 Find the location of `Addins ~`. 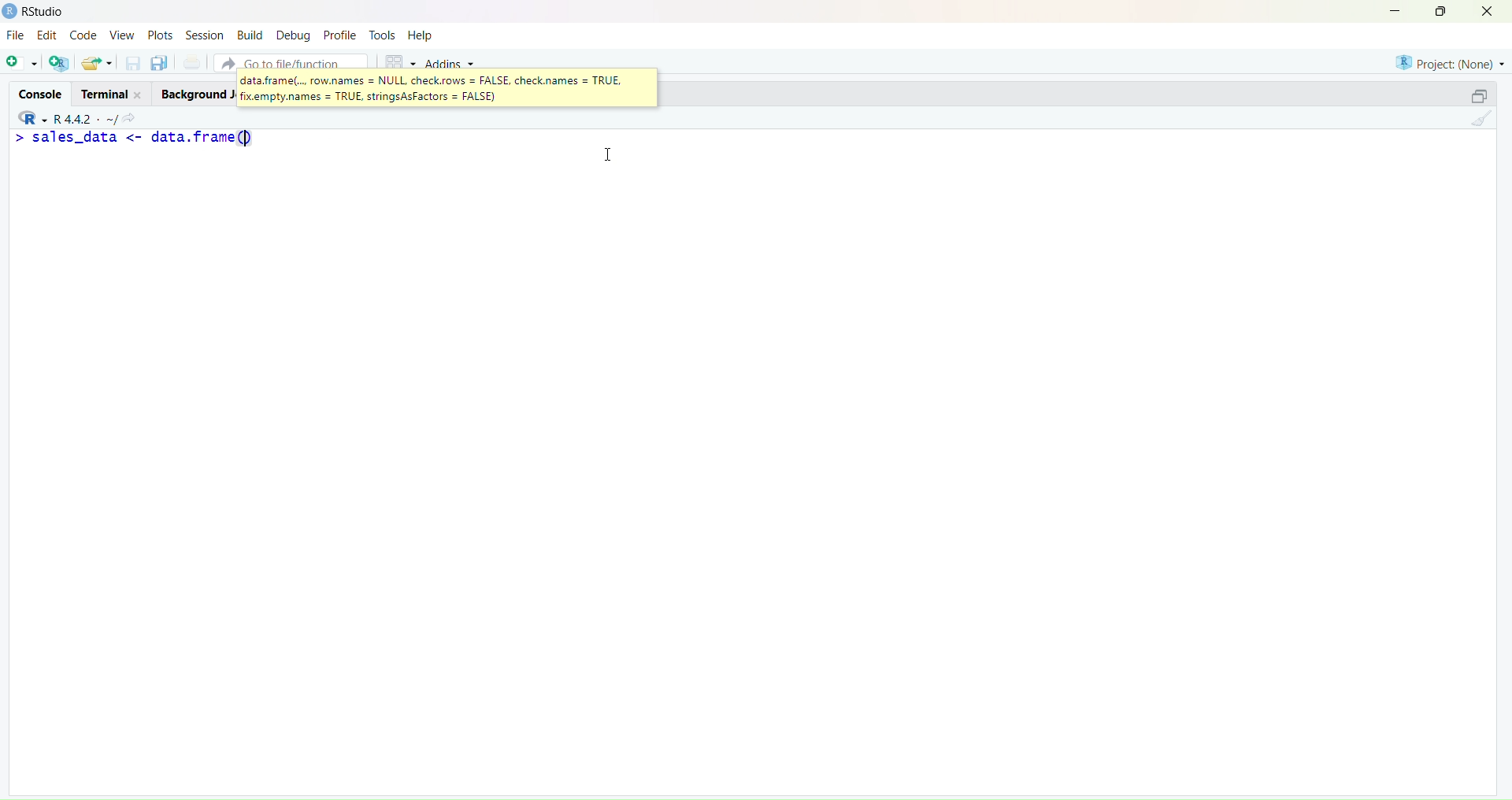

Addins ~ is located at coordinates (450, 64).